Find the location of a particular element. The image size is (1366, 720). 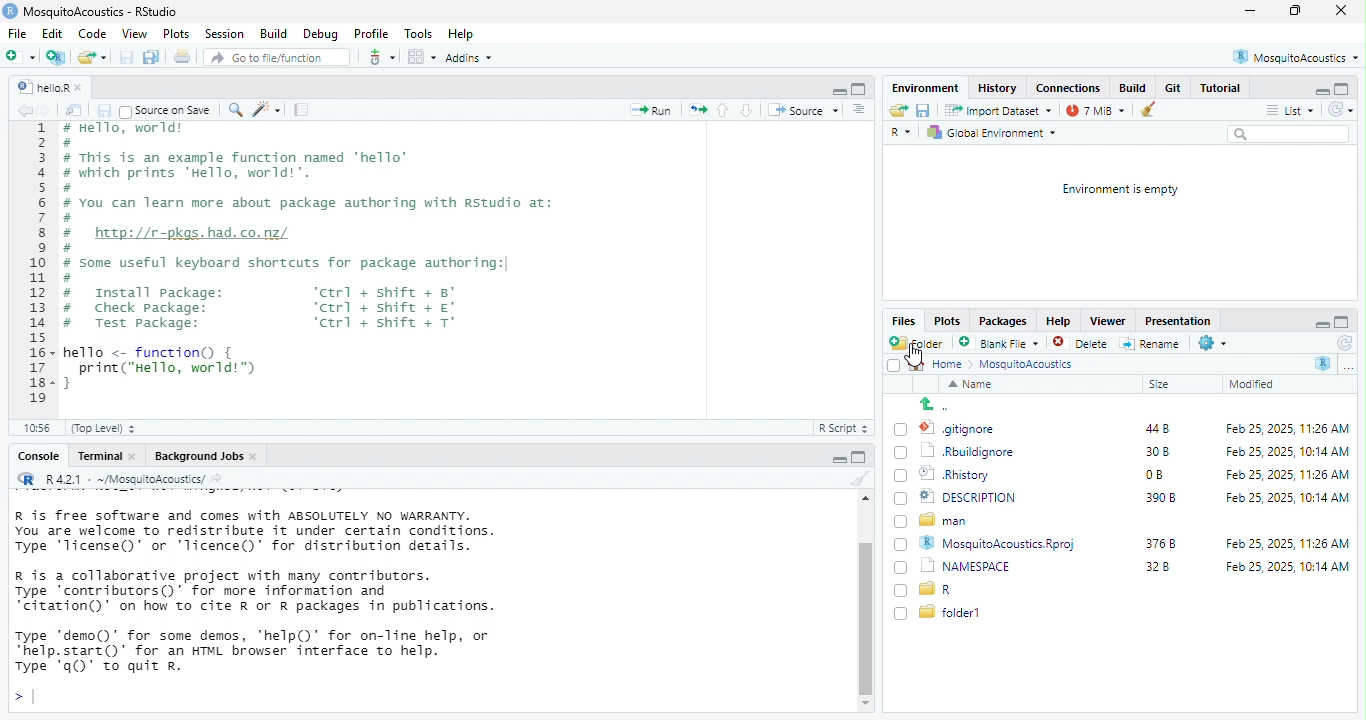

checkbox is located at coordinates (898, 614).